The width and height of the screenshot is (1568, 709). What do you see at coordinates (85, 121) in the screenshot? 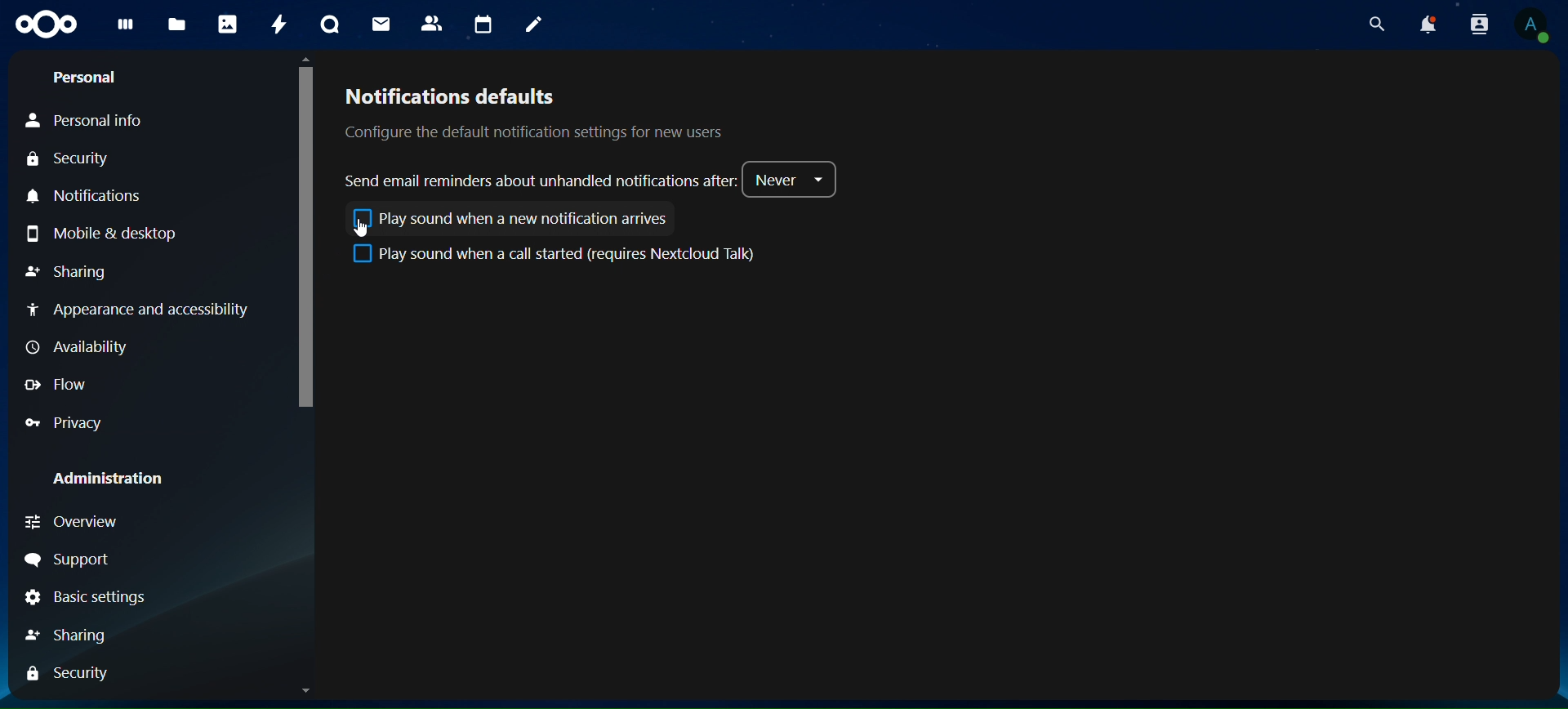
I see `Personal Info` at bounding box center [85, 121].